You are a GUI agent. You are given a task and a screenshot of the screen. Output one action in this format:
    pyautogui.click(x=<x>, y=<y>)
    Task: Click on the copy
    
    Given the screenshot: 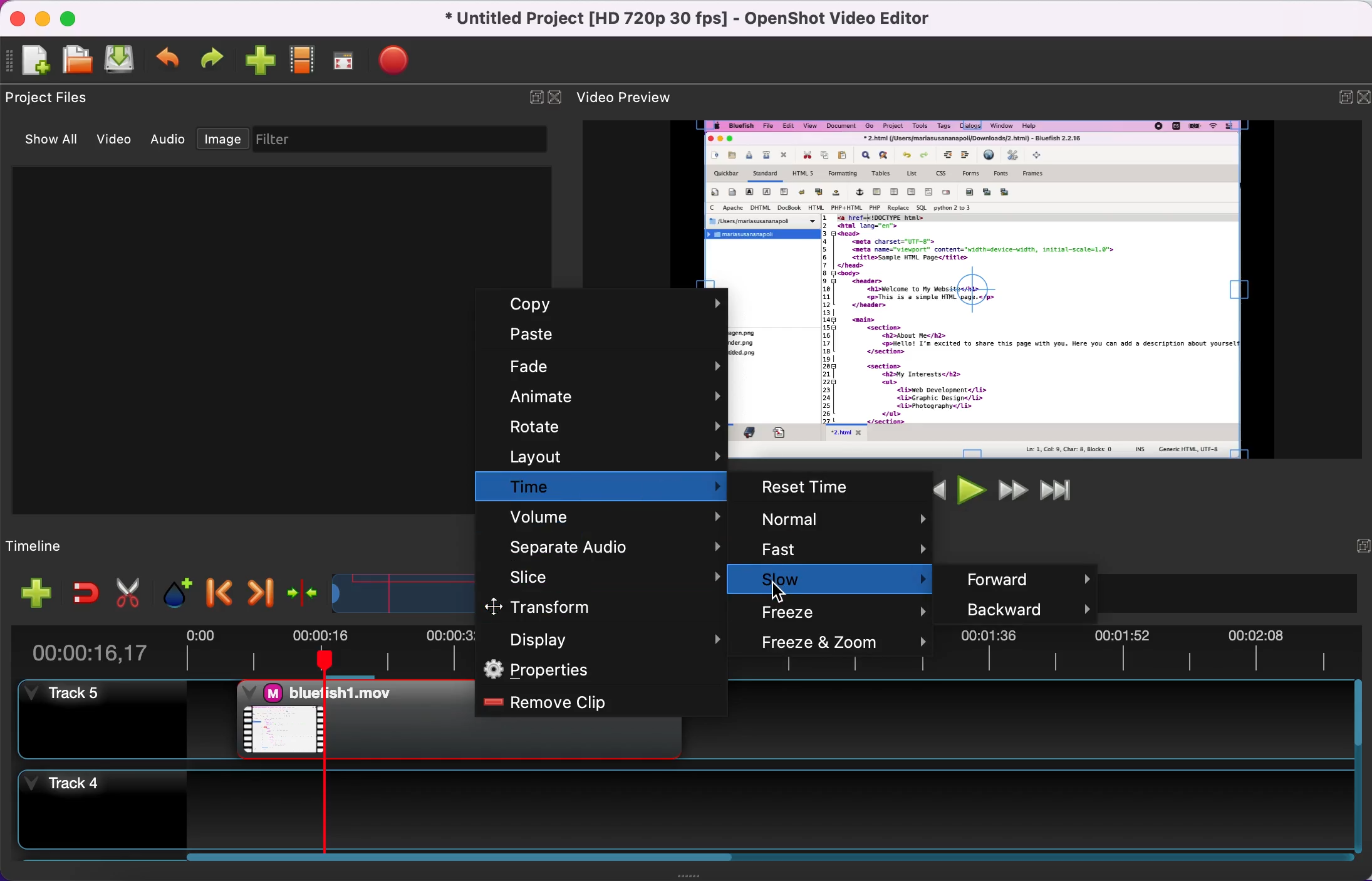 What is the action you would take?
    pyautogui.click(x=609, y=306)
    